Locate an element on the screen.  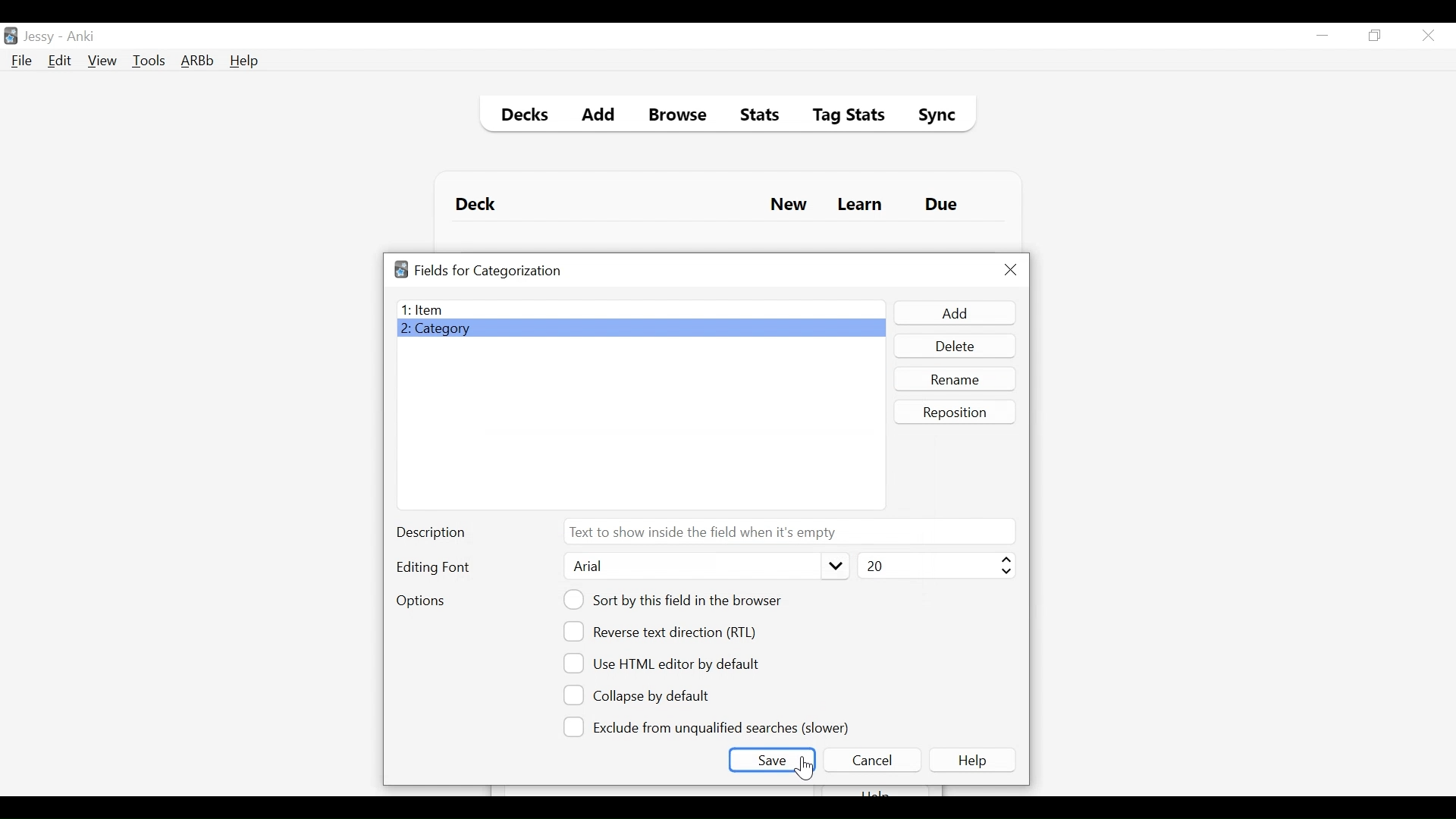
Add is located at coordinates (953, 313).